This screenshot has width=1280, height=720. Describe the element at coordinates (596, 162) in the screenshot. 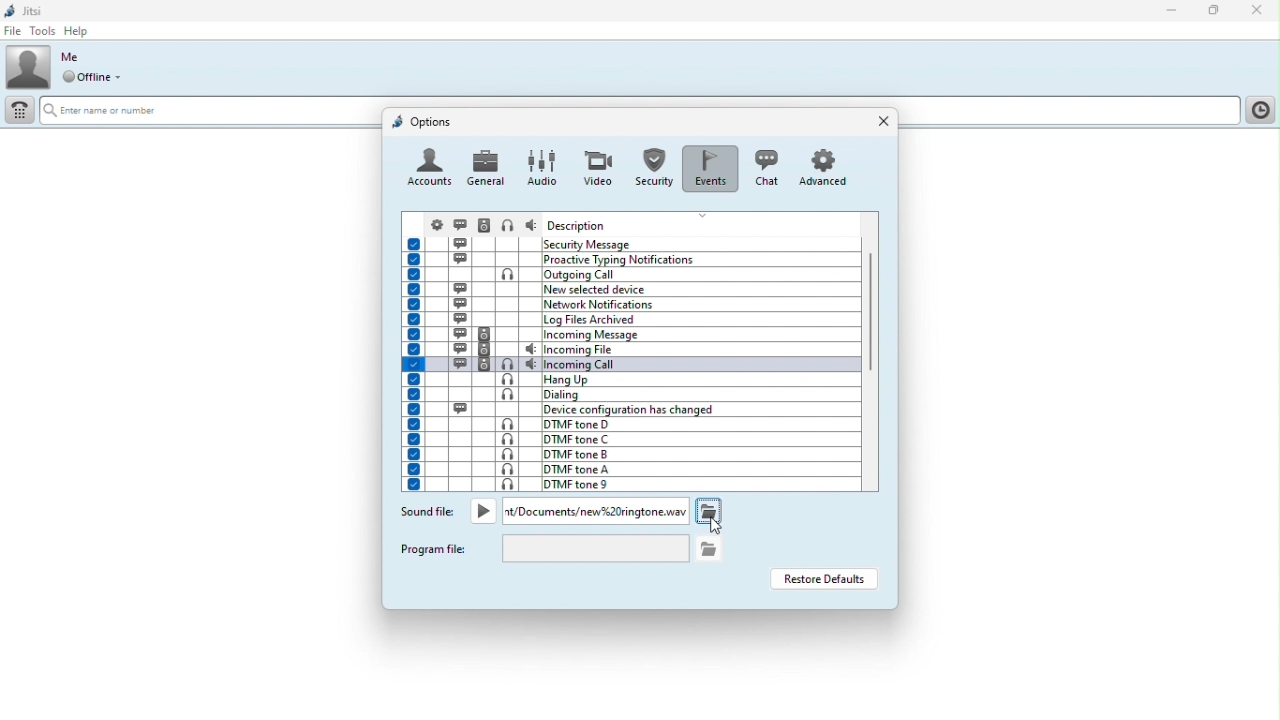

I see `Video` at that location.